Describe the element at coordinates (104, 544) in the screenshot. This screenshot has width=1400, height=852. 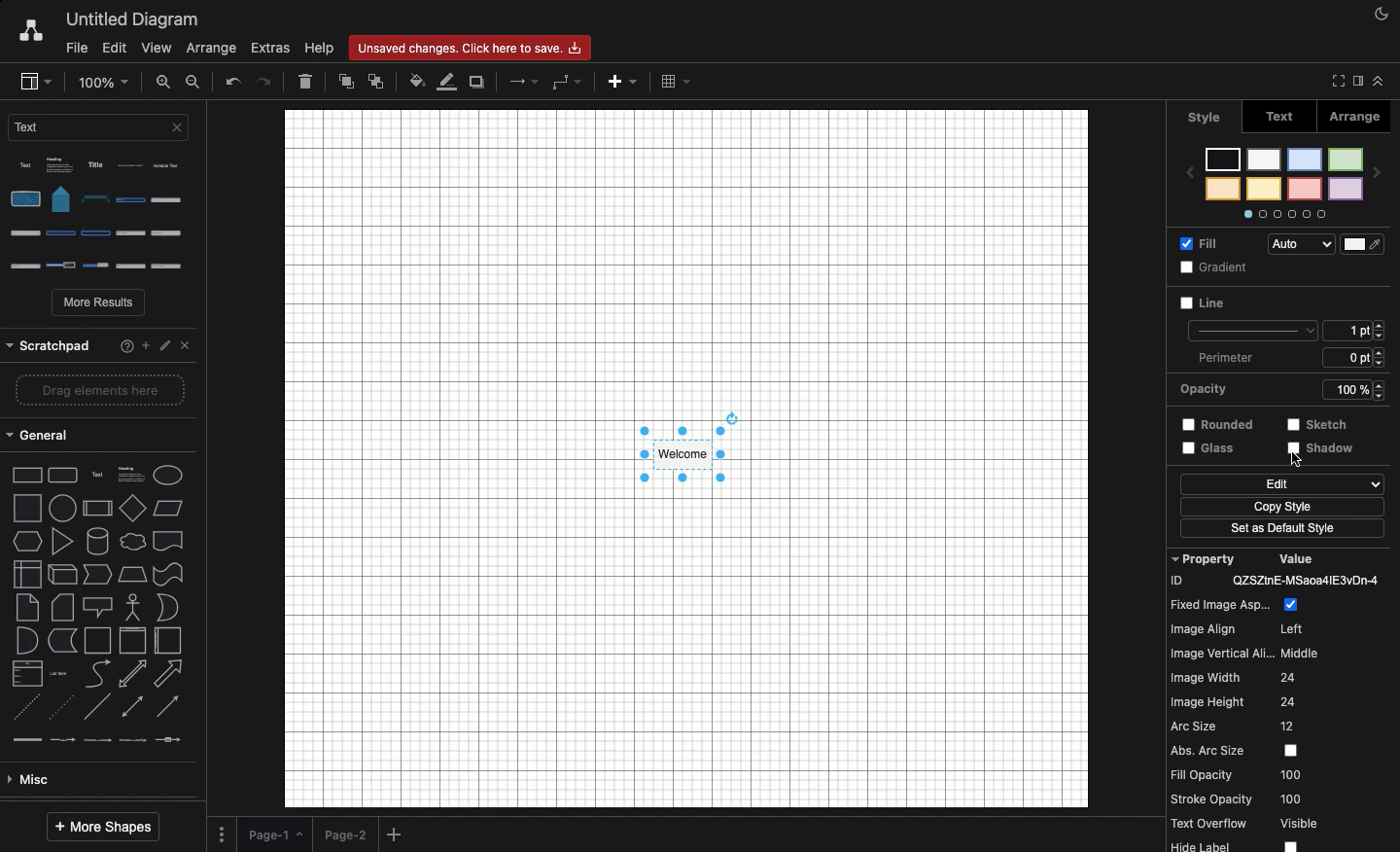
I see `type of arrow` at that location.